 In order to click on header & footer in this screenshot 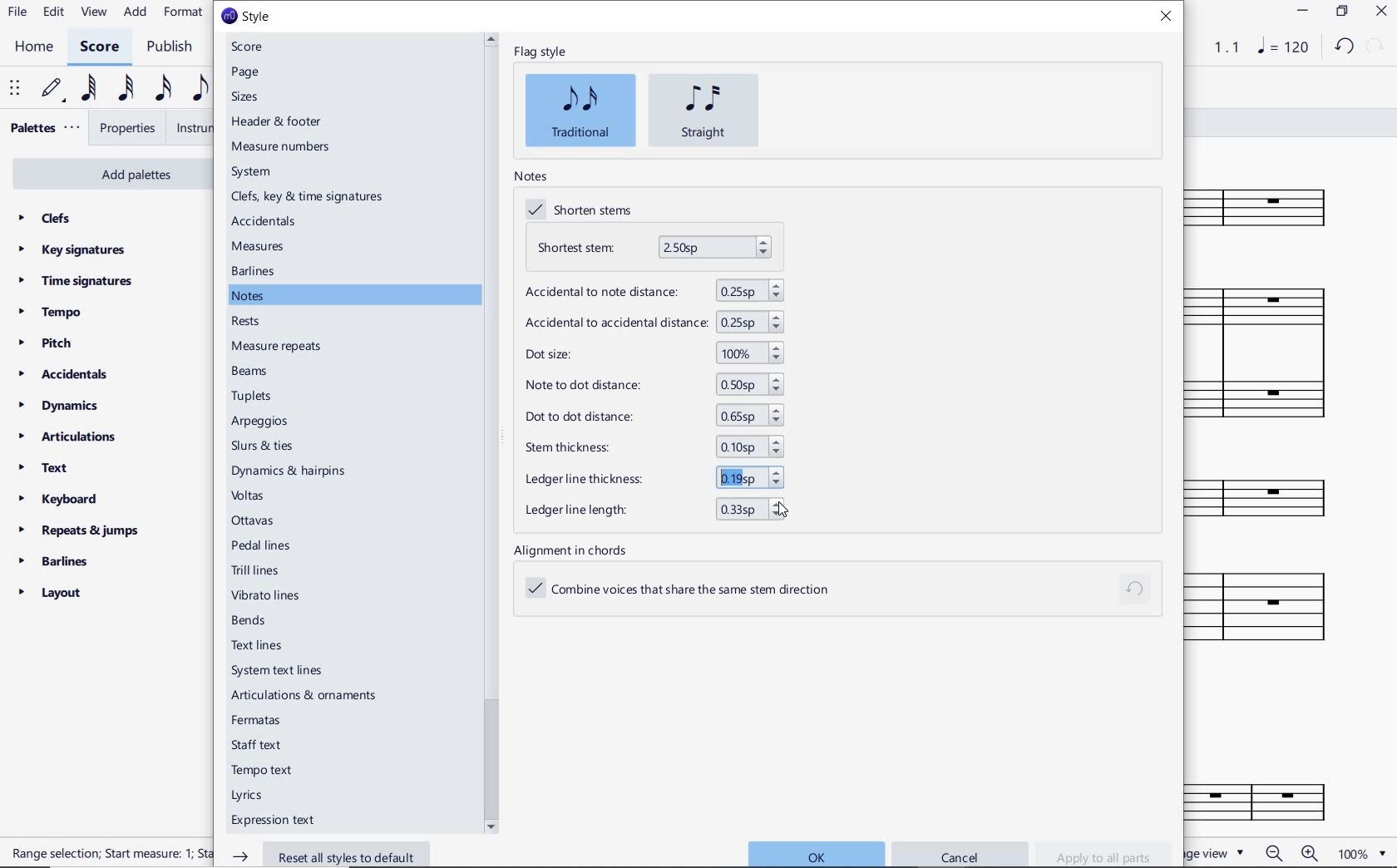, I will do `click(280, 121)`.